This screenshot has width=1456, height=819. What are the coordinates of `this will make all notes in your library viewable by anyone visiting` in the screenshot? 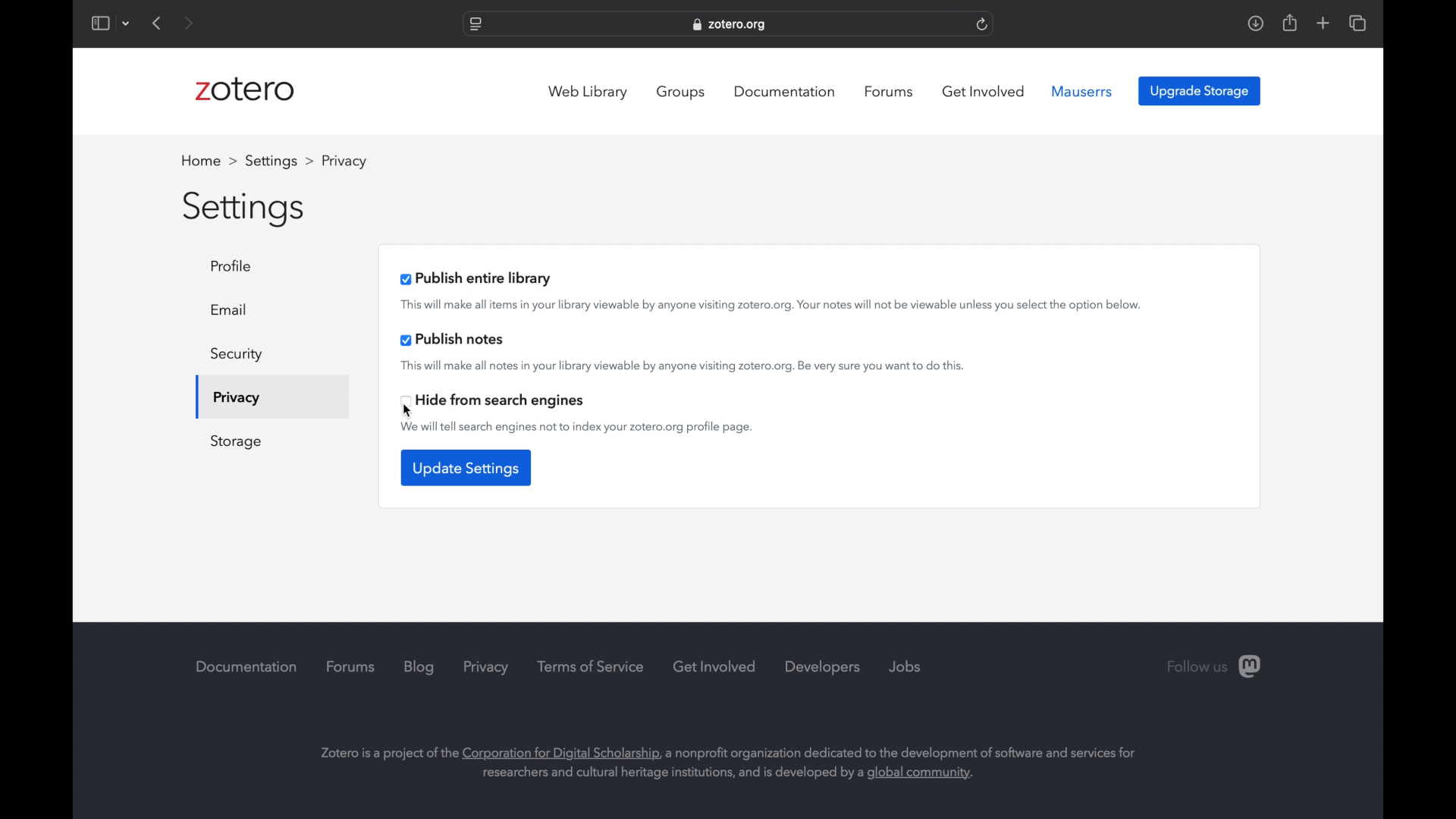 It's located at (682, 366).